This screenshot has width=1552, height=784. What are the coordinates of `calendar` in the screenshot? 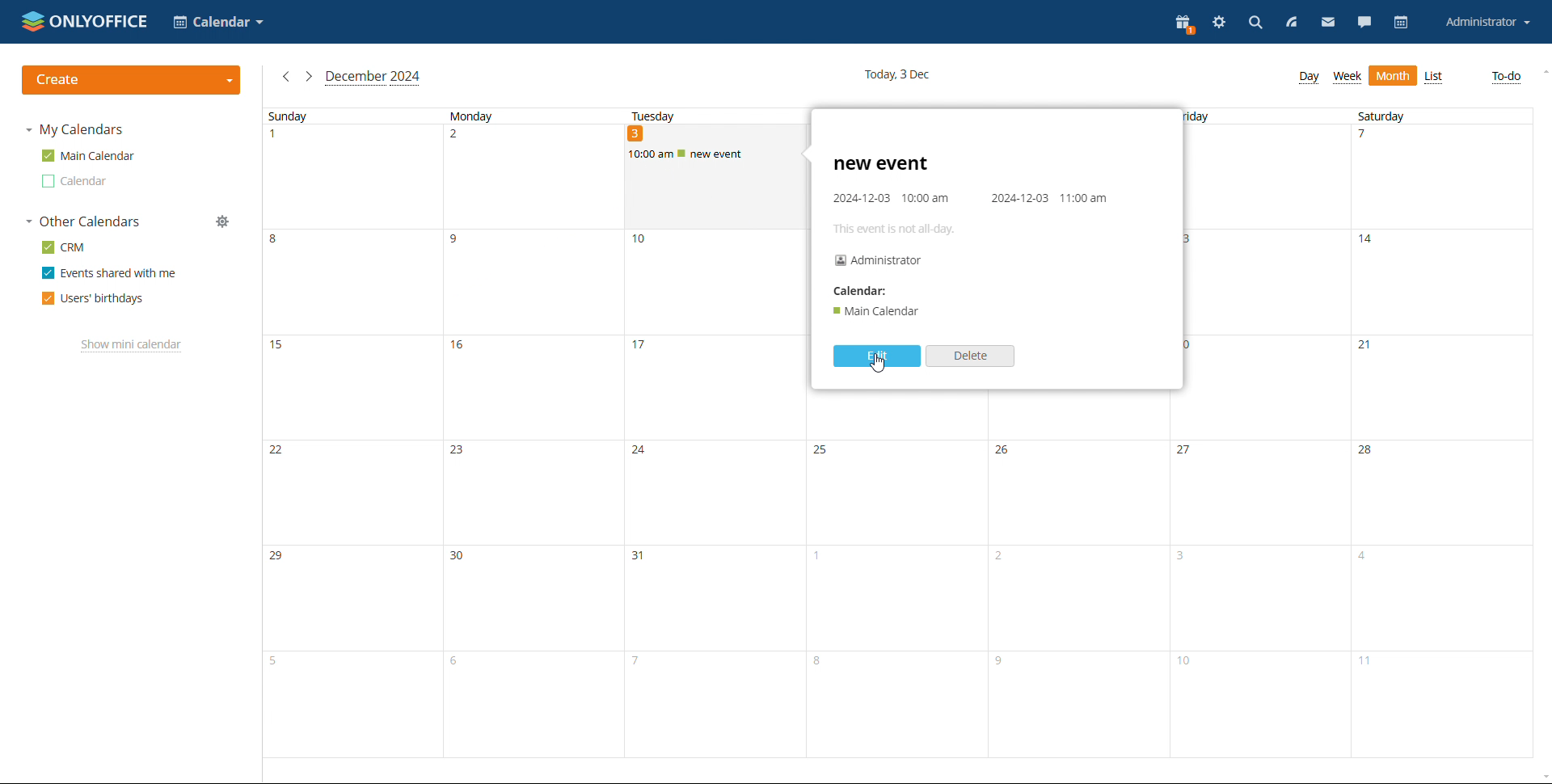 It's located at (1402, 22).